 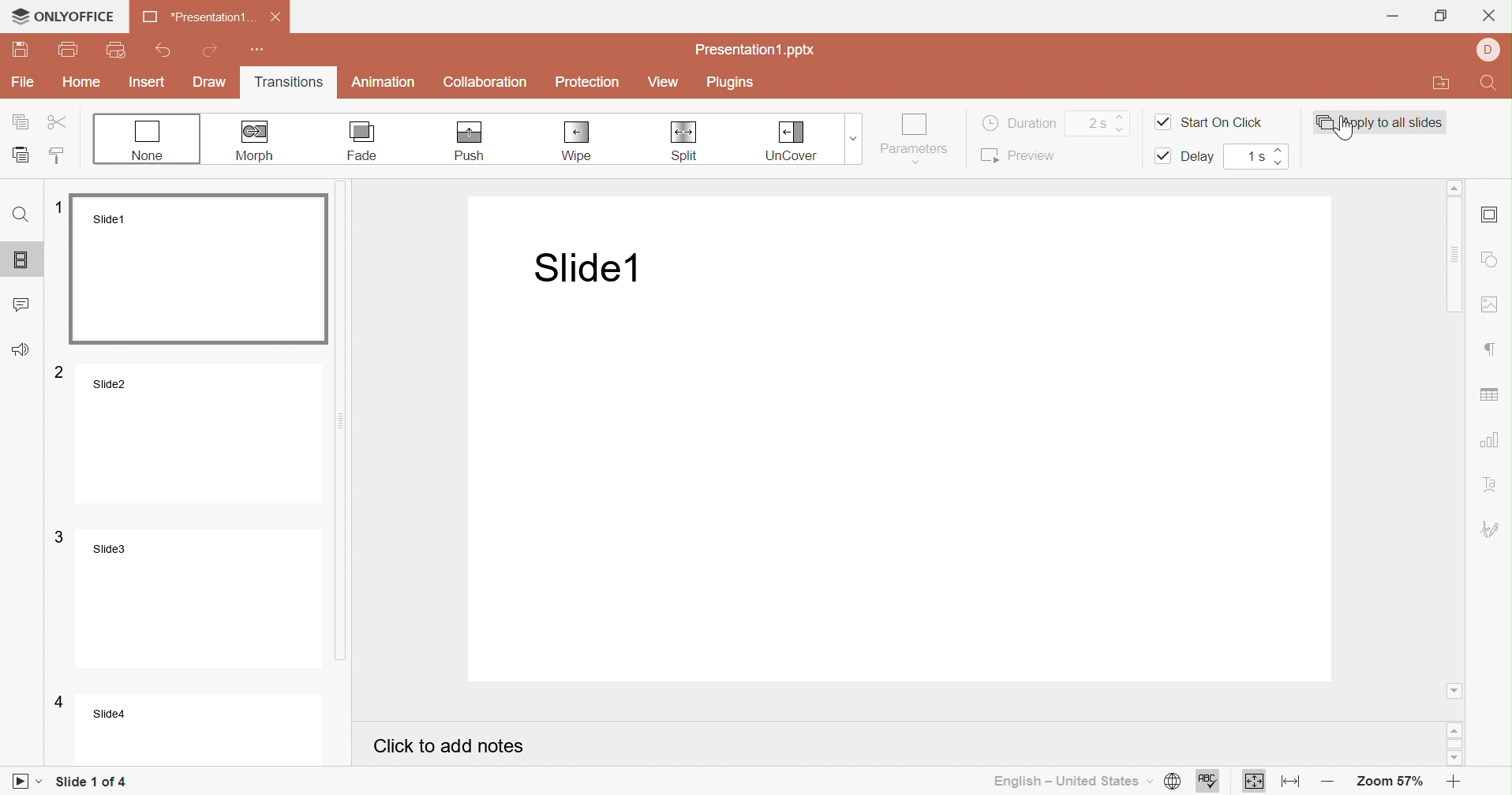 What do you see at coordinates (731, 83) in the screenshot?
I see `Plugins` at bounding box center [731, 83].